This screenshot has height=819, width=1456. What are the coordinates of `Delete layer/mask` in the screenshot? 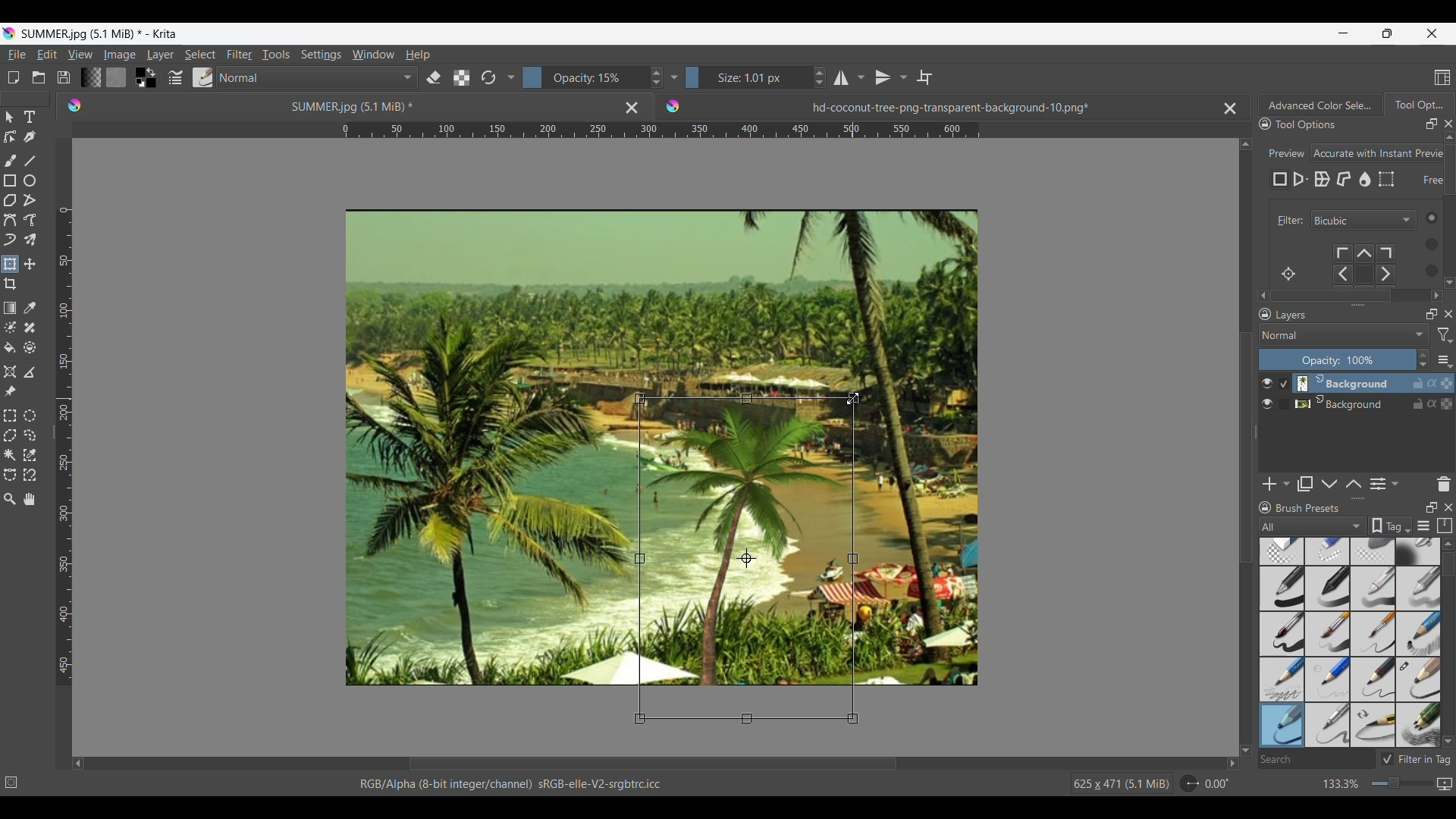 It's located at (1445, 483).